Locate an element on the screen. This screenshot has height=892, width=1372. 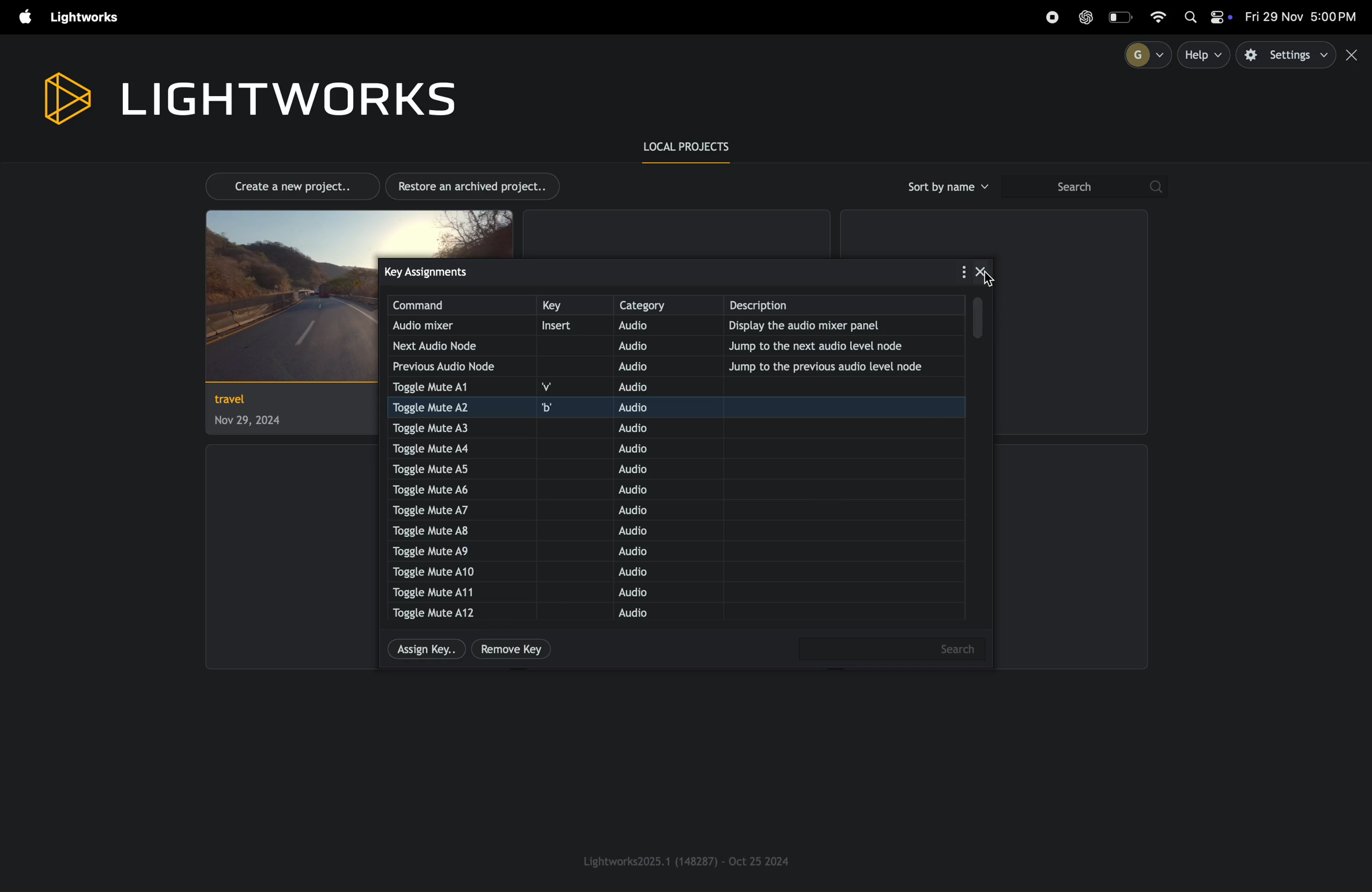
toggle mute A11 is located at coordinates (442, 591).